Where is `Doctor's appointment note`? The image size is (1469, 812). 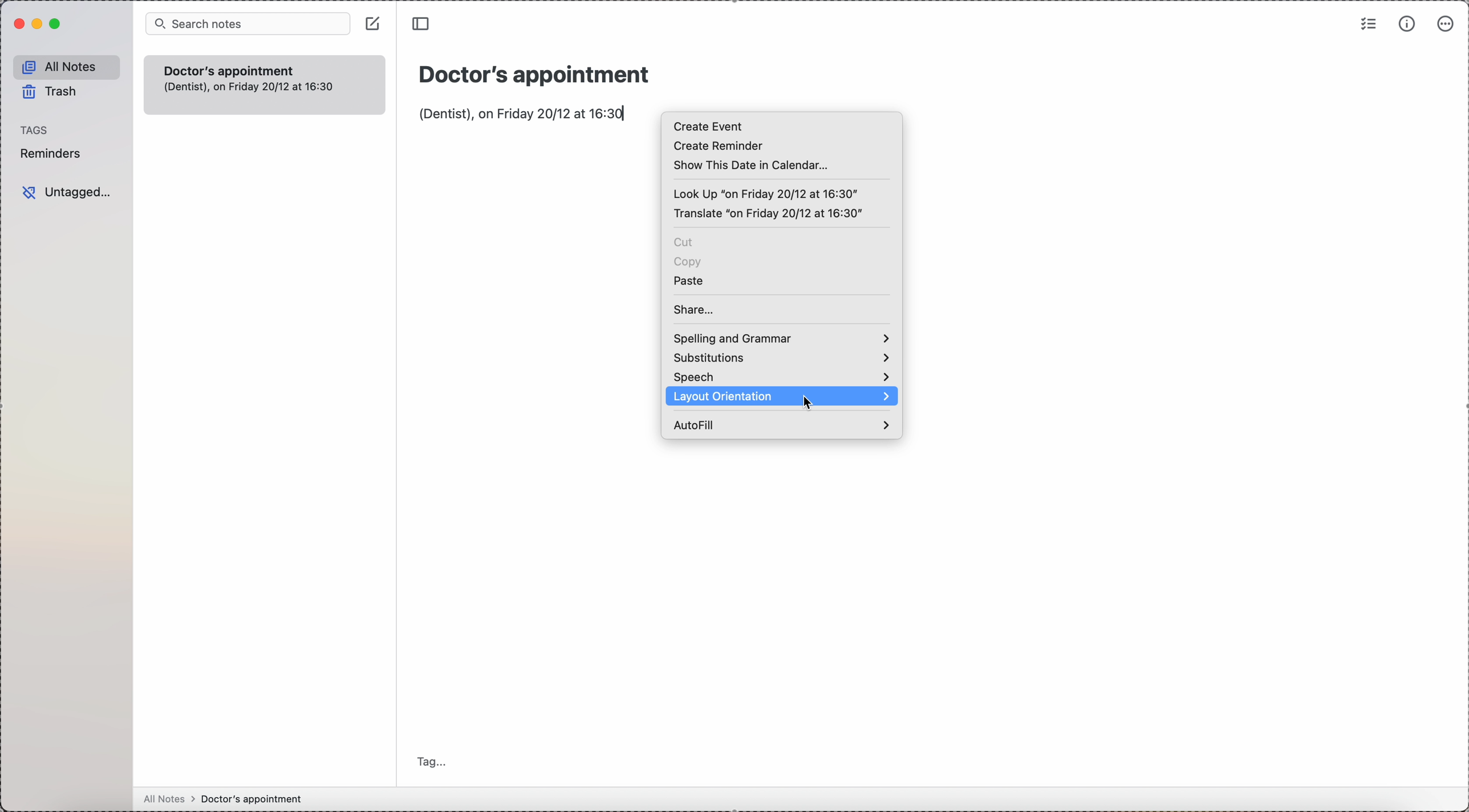 Doctor's appointment note is located at coordinates (263, 84).